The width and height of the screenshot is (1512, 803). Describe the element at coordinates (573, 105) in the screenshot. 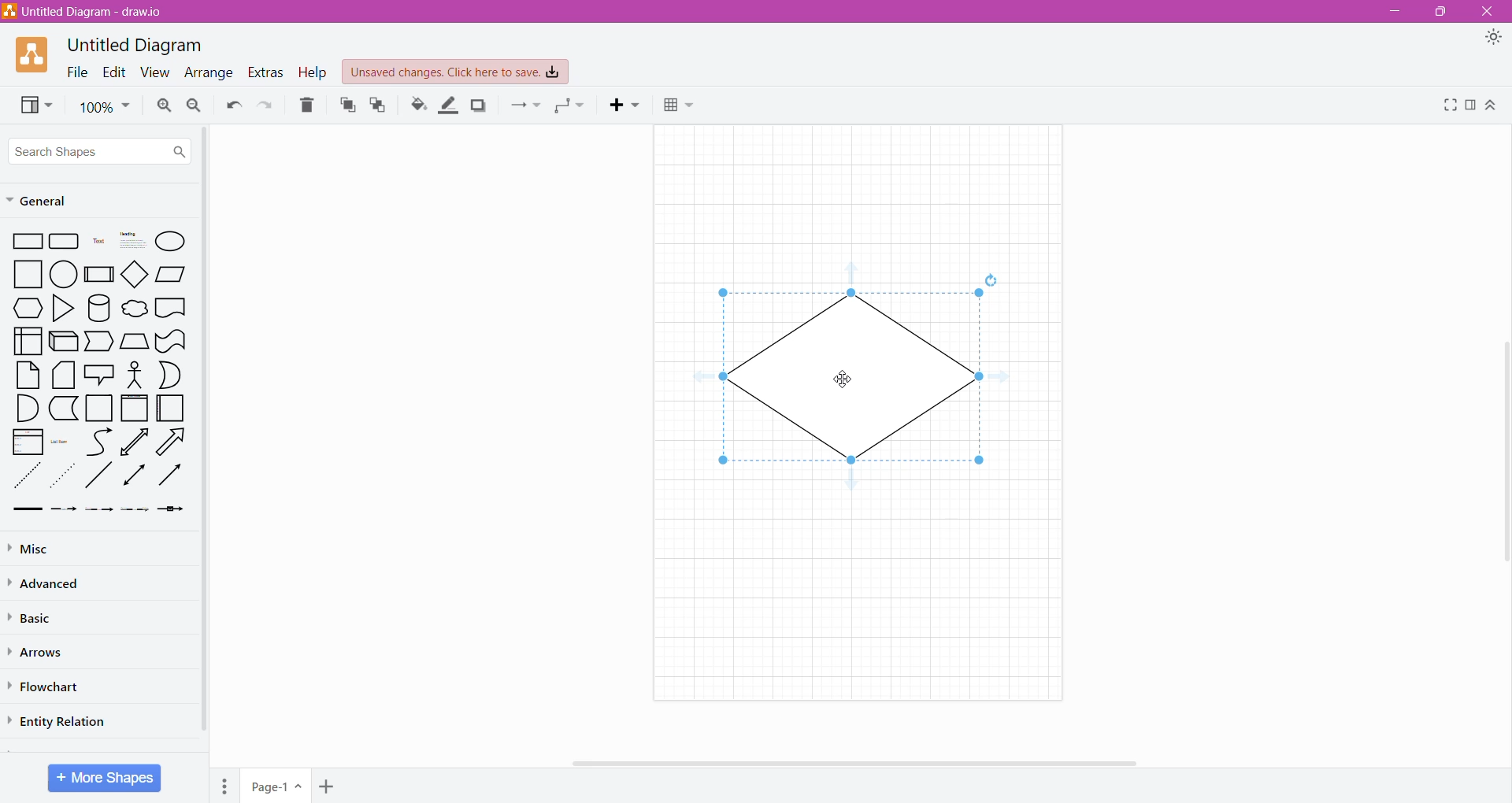

I see `Waypoints` at that location.